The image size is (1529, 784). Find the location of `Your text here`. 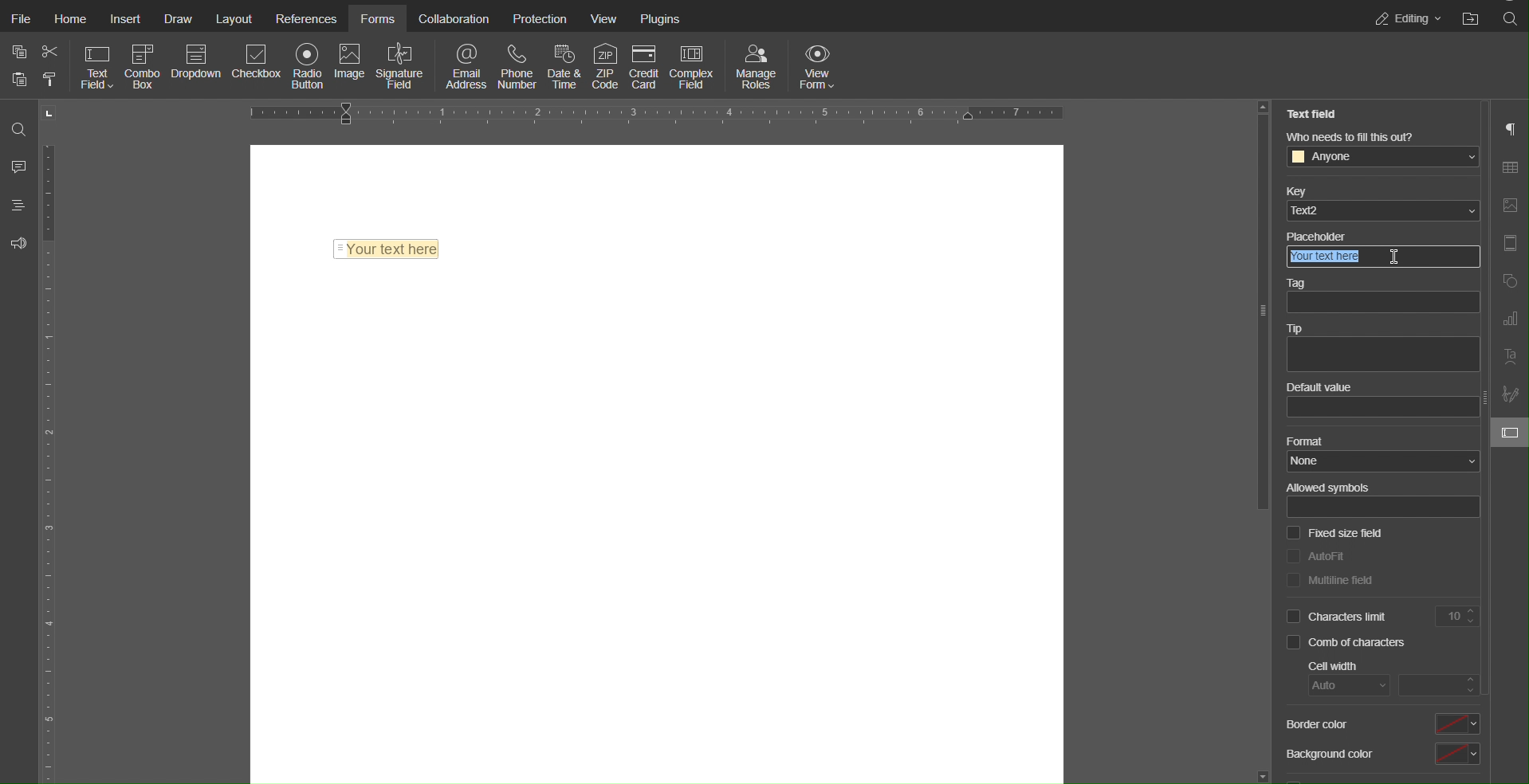

Your text here is located at coordinates (1322, 258).